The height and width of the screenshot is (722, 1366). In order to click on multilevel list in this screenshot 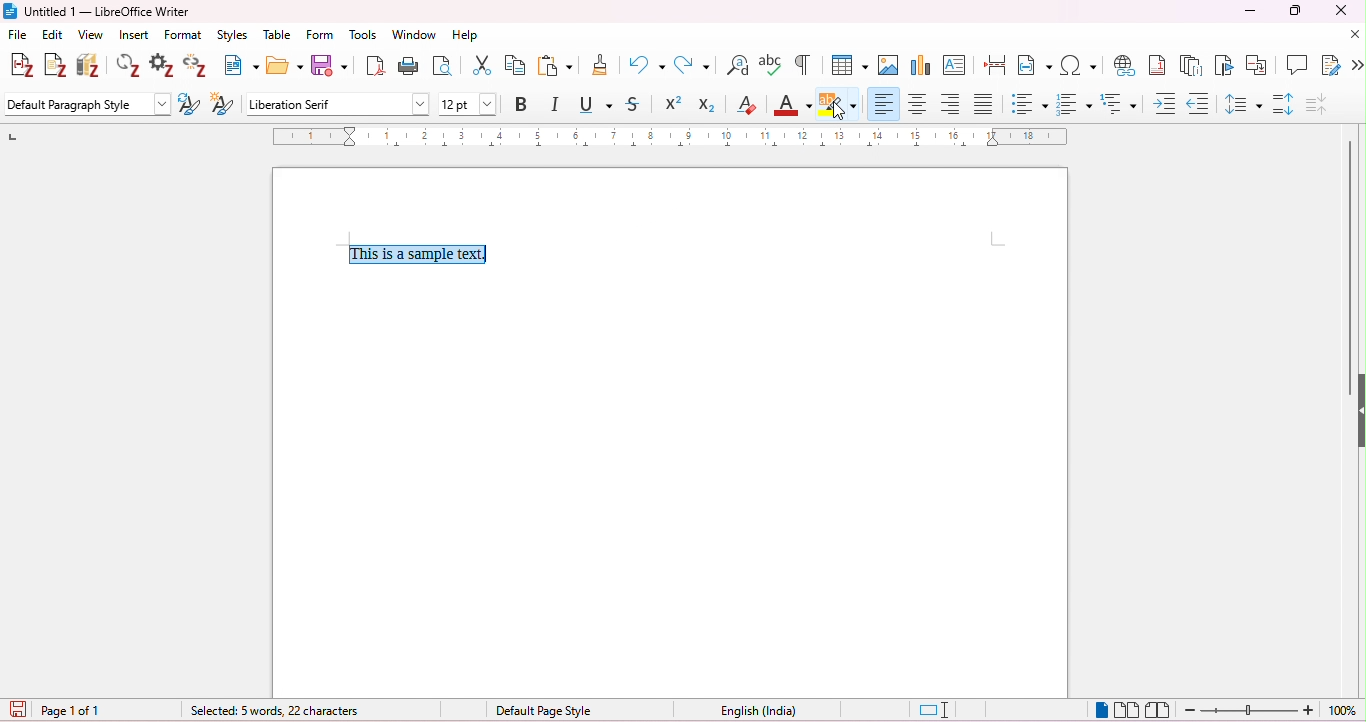, I will do `click(1120, 103)`.